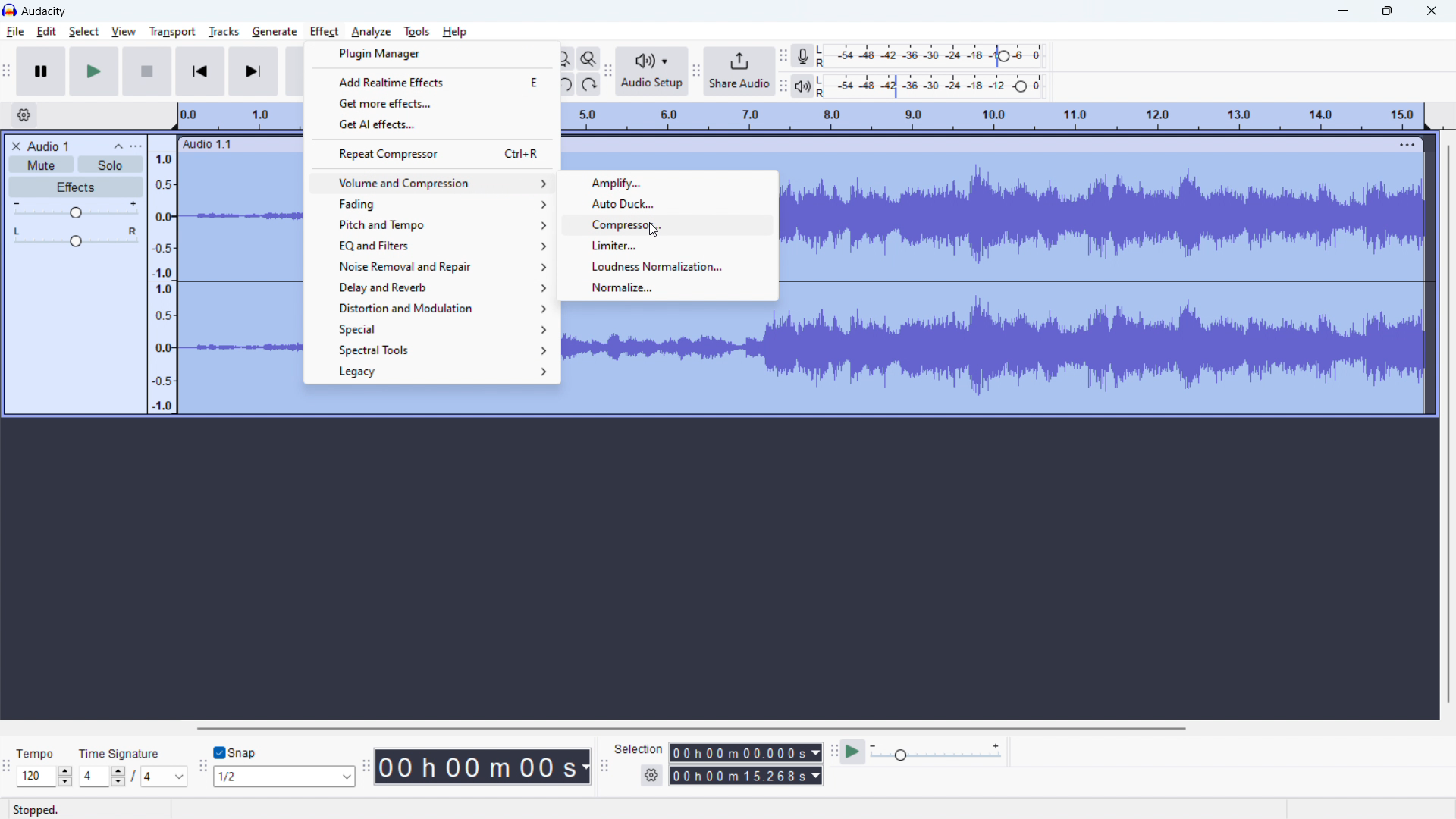 This screenshot has height=819, width=1456. Describe the element at coordinates (147, 71) in the screenshot. I see `stop` at that location.